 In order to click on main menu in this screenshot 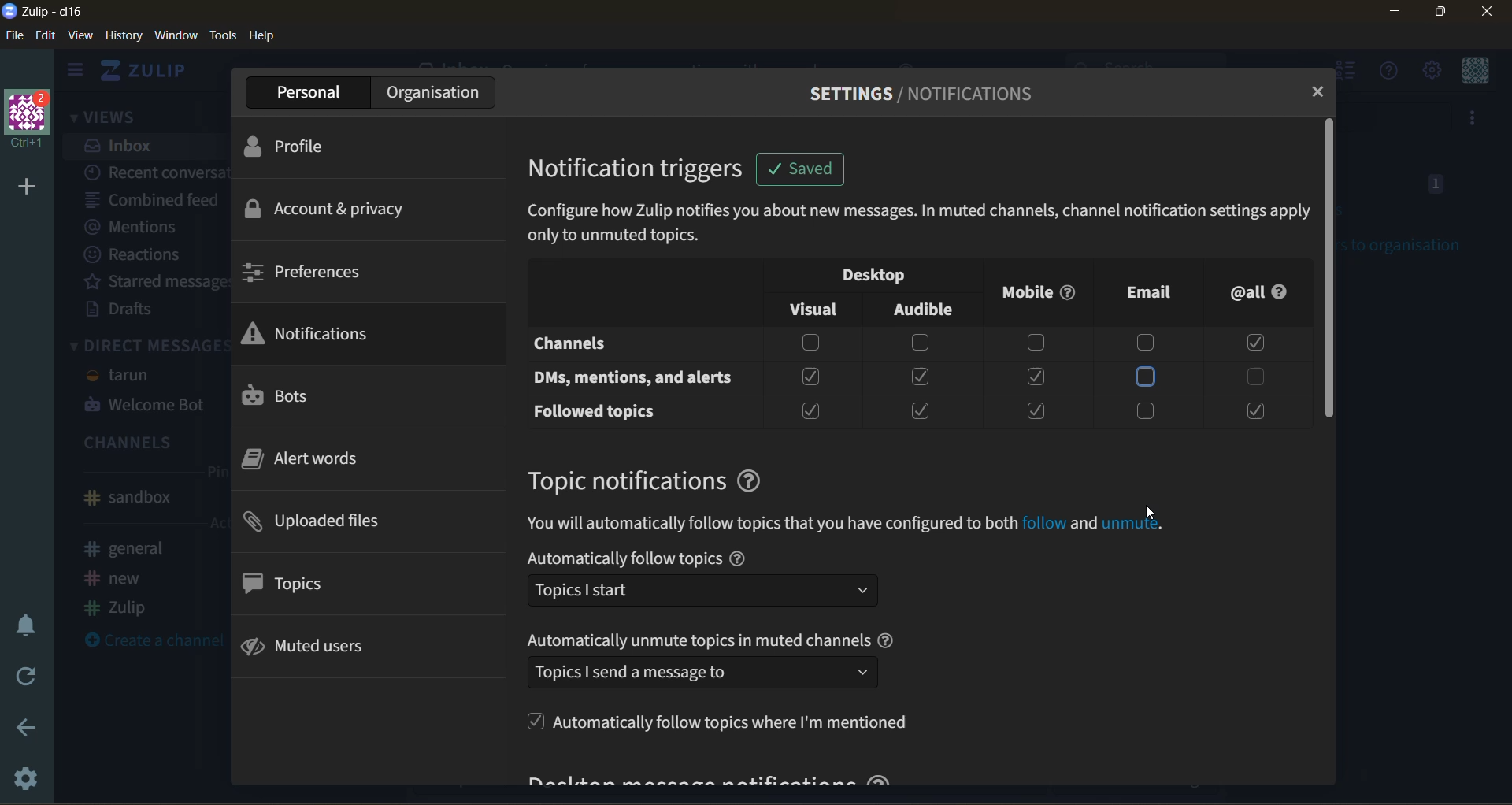, I will do `click(1435, 70)`.